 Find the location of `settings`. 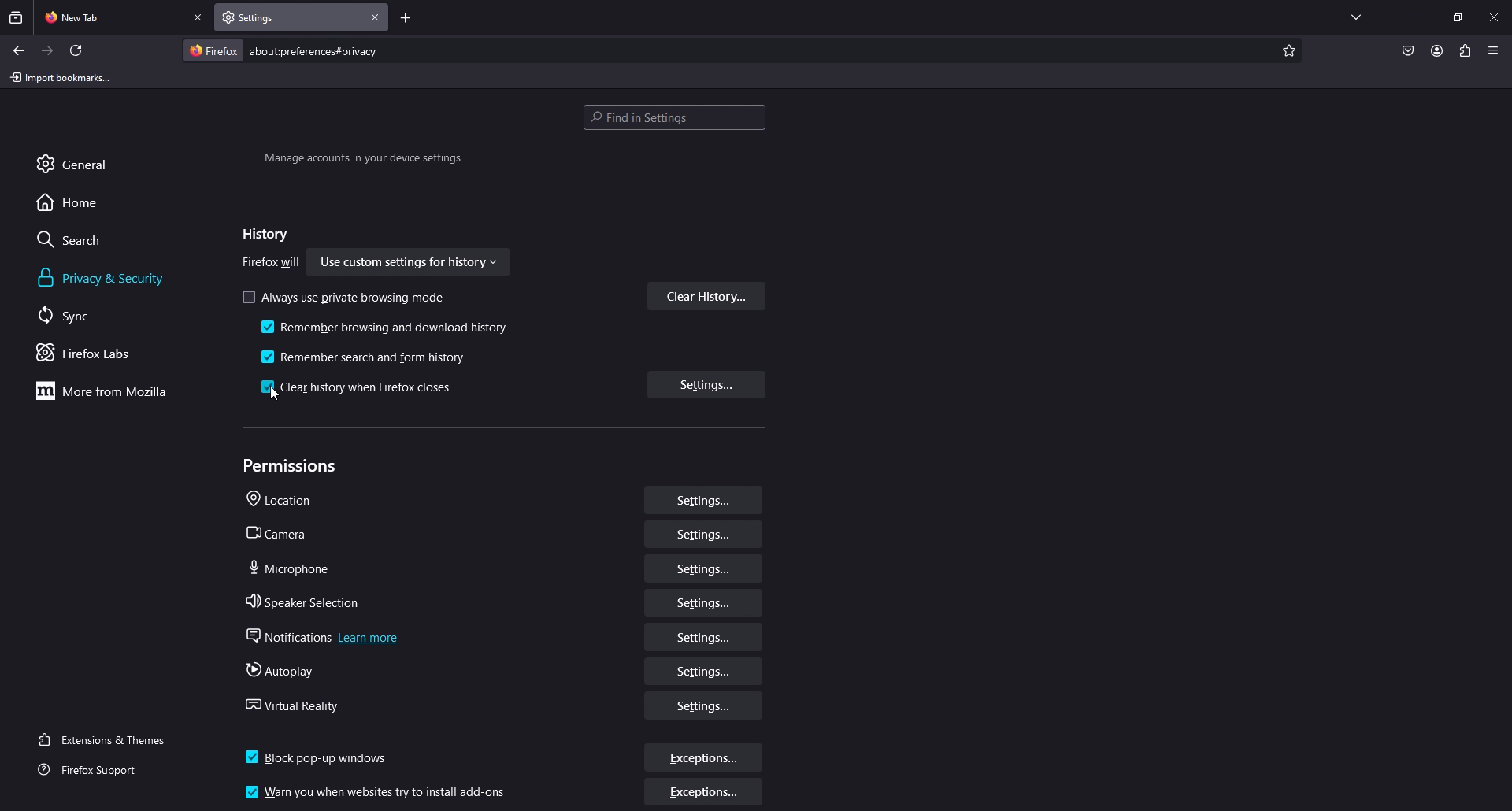

settings is located at coordinates (703, 537).